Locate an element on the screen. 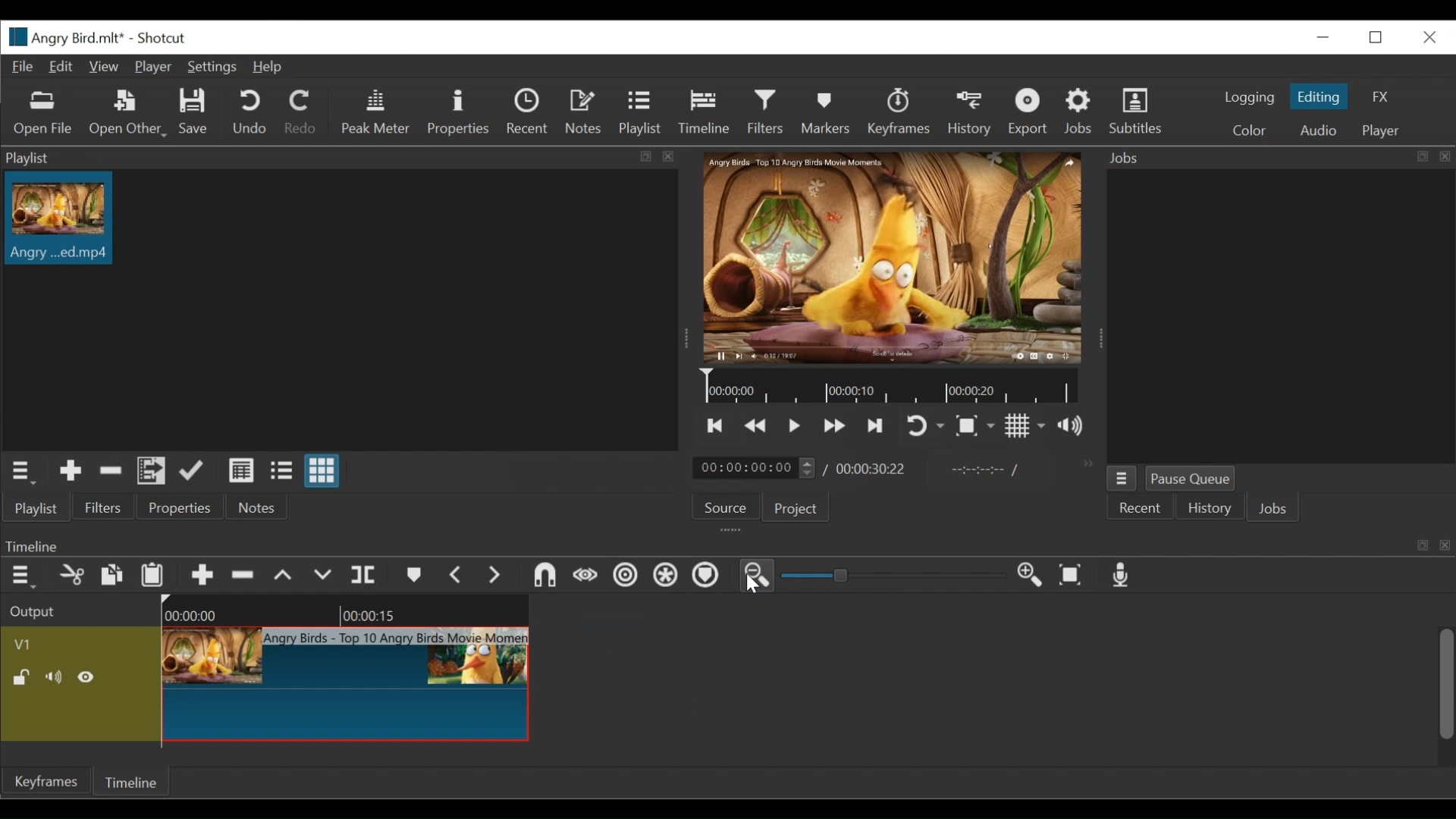 The width and height of the screenshot is (1456, 819). Jobs Panel is located at coordinates (1287, 317).